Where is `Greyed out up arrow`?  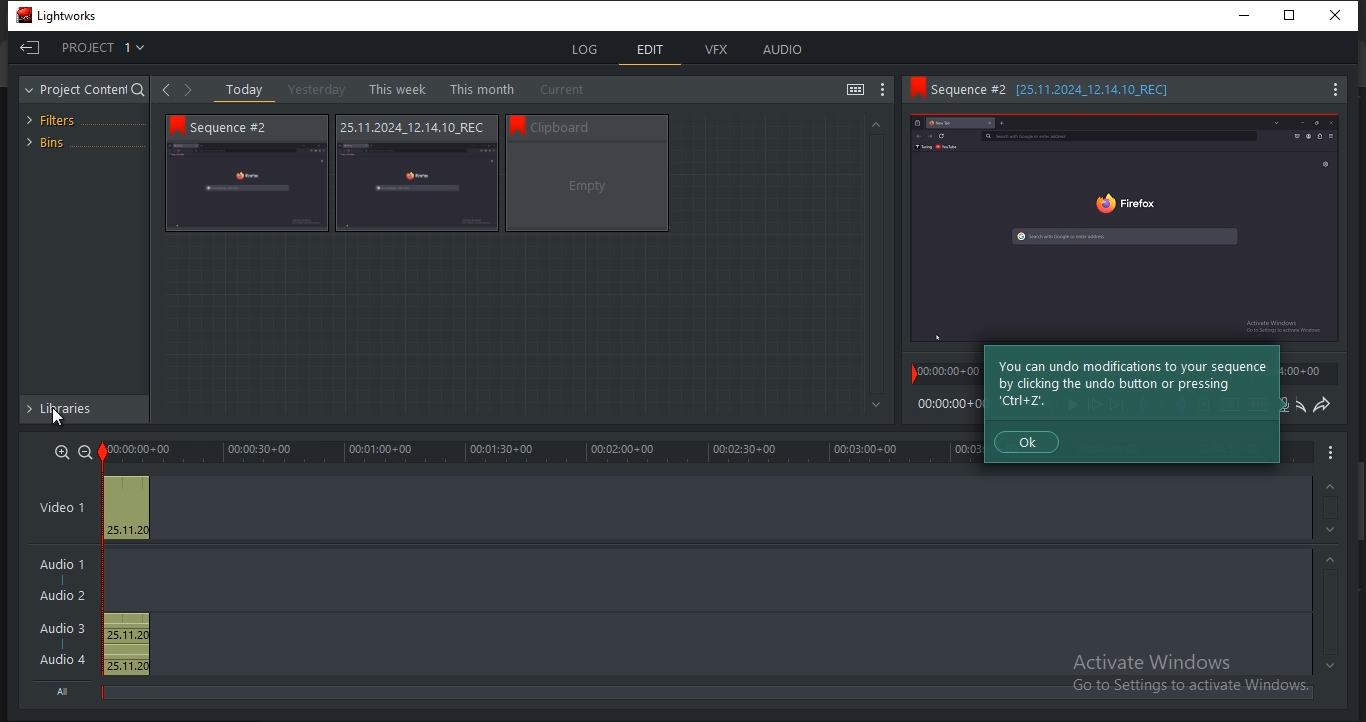 Greyed out up arrow is located at coordinates (883, 125).